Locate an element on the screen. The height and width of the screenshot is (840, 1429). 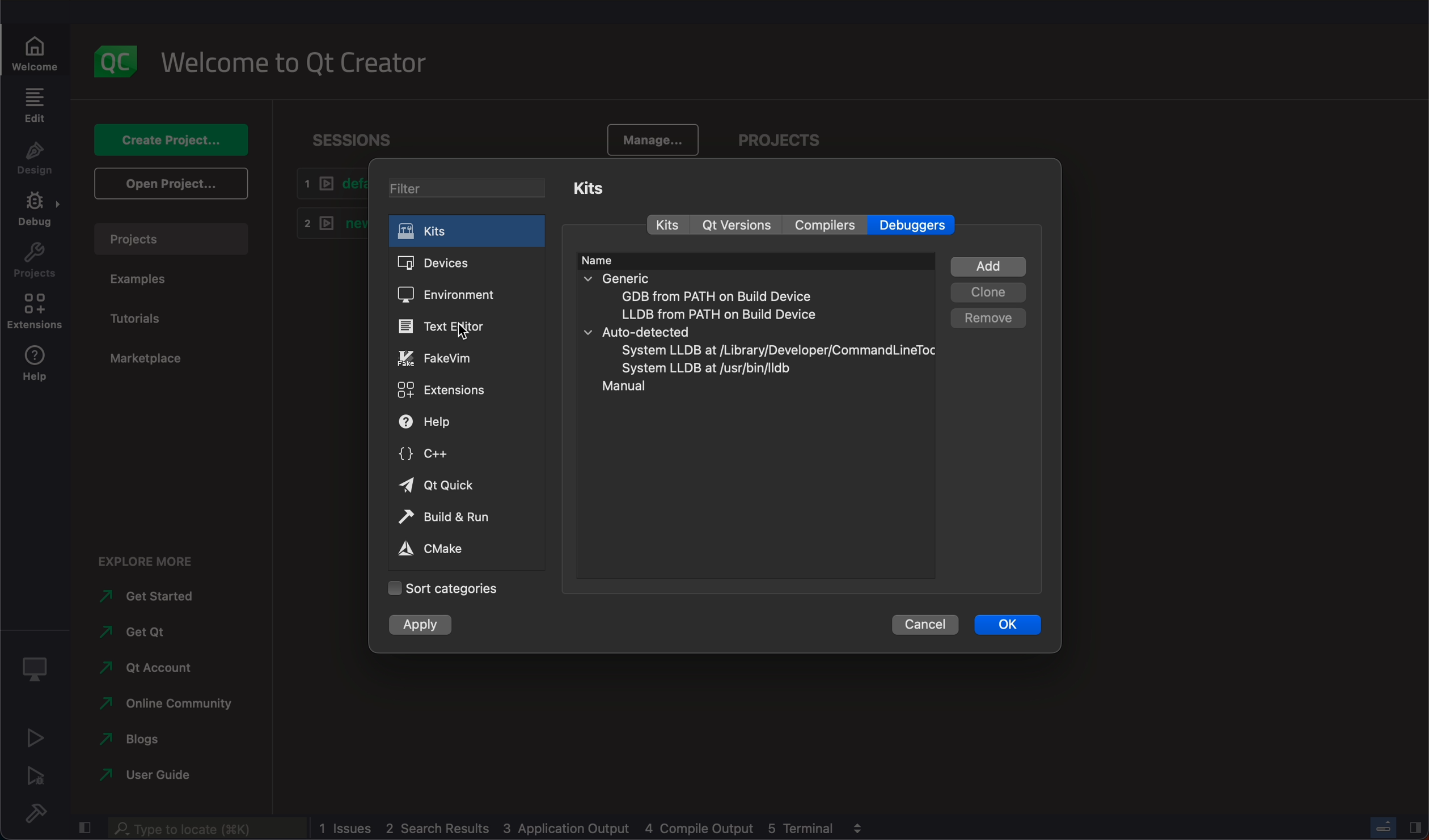
ok is located at coordinates (1008, 629).